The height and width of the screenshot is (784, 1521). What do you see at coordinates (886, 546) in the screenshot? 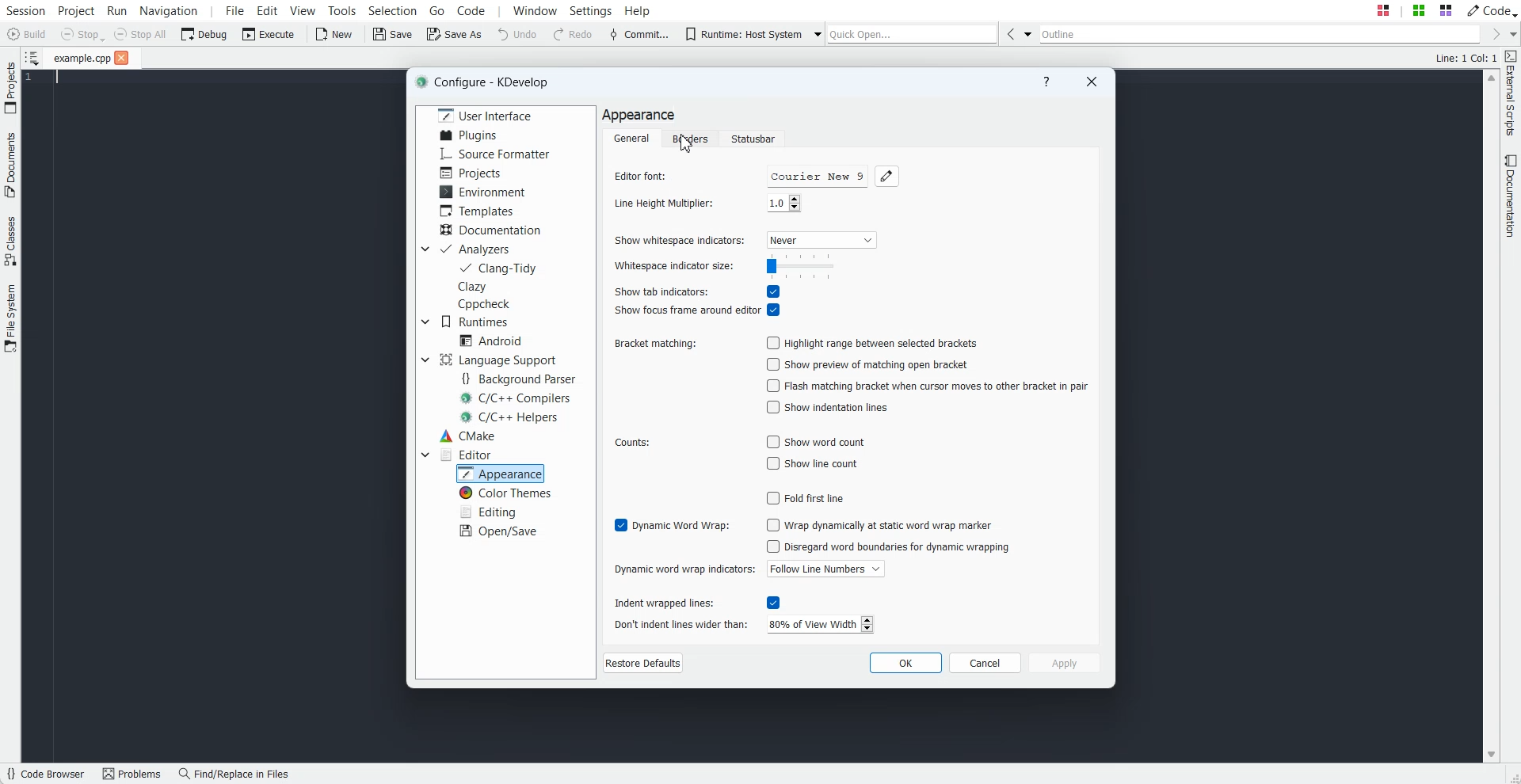
I see `Disable Disregard word boundaries for dynamic wrapping` at bounding box center [886, 546].